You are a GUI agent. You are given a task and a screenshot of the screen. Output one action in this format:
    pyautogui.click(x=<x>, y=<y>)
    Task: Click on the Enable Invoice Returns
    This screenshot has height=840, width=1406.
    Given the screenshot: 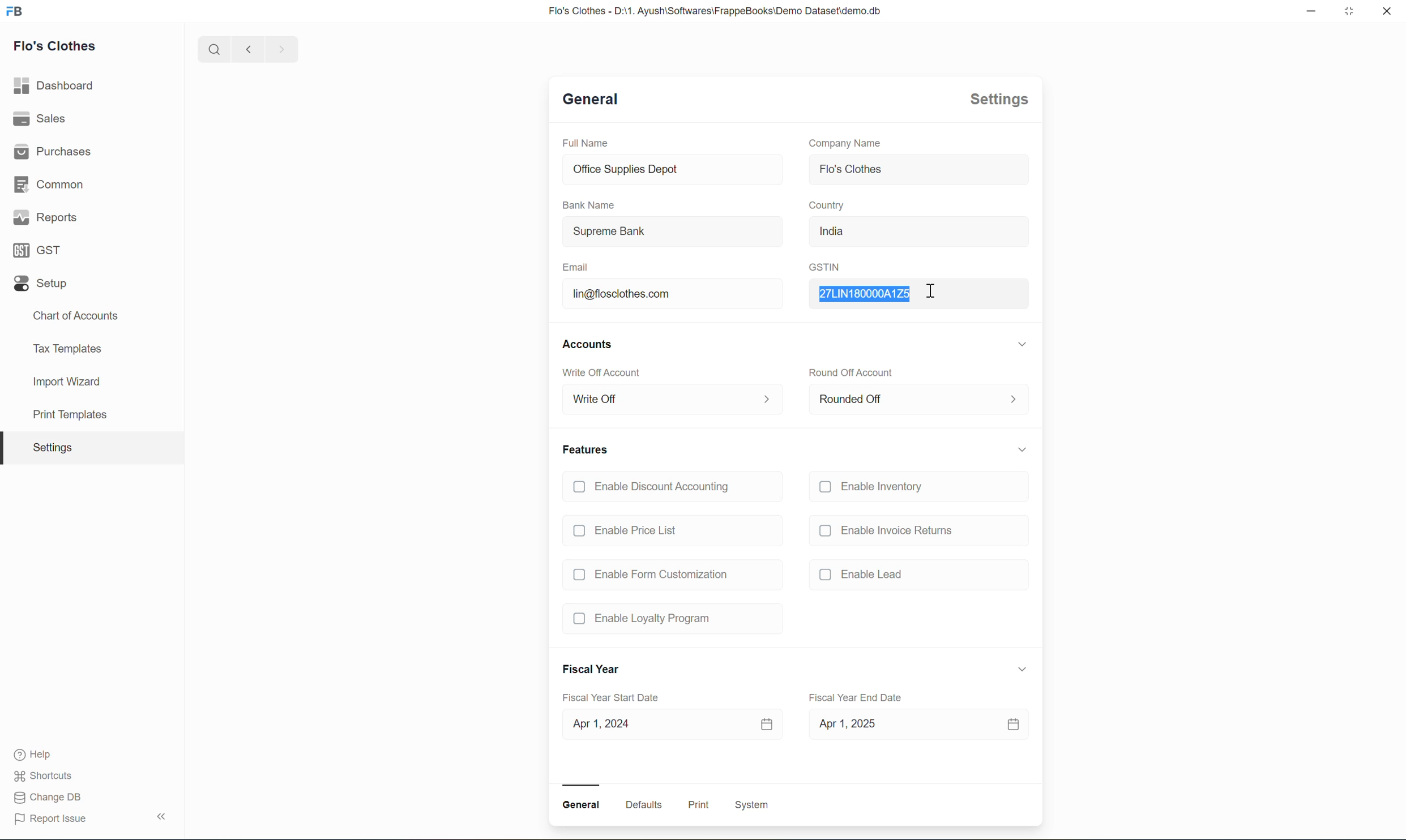 What is the action you would take?
    pyautogui.click(x=885, y=531)
    